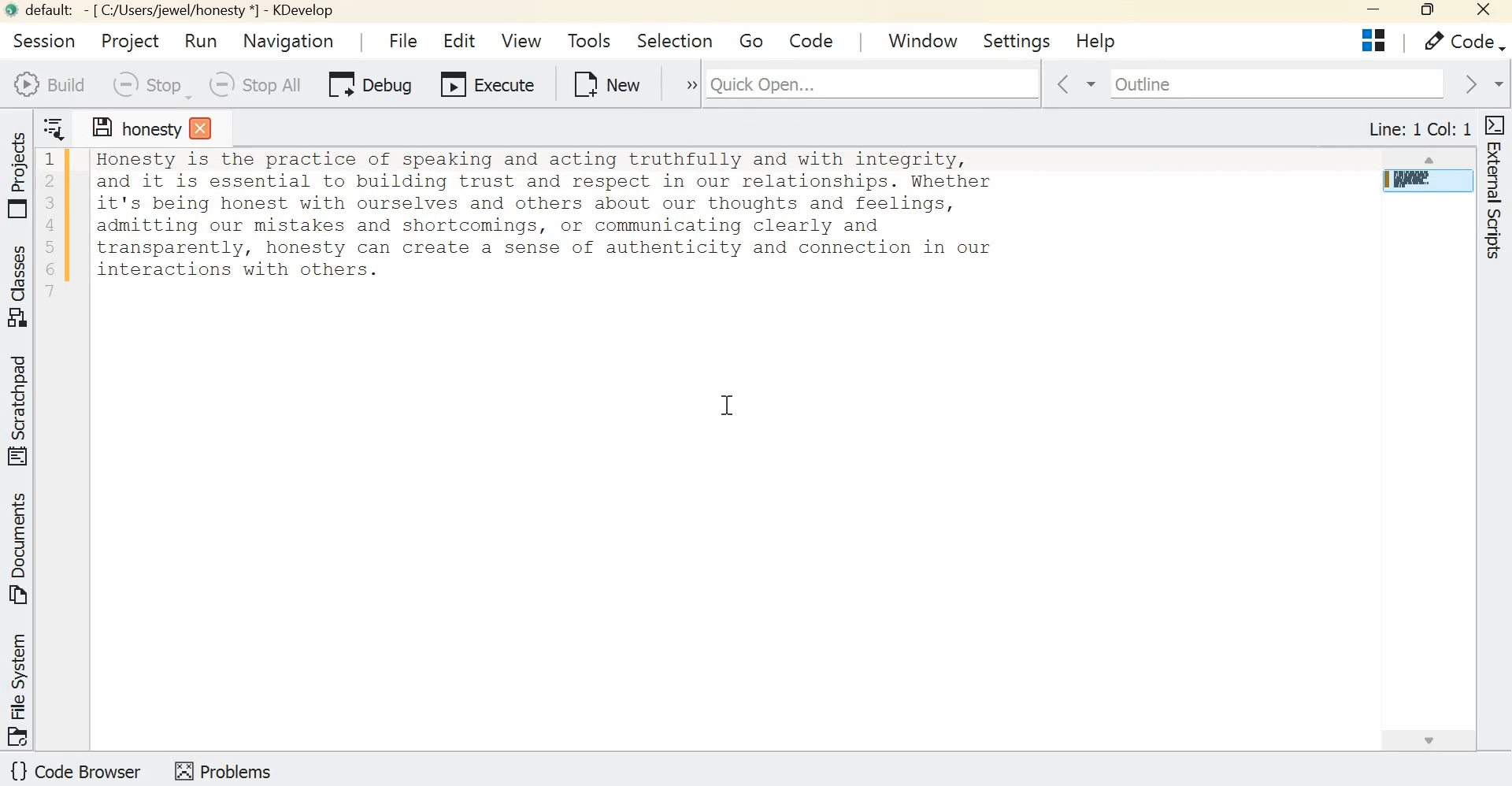 The height and width of the screenshot is (786, 1512). What do you see at coordinates (1263, 83) in the screenshot?
I see `Outline` at bounding box center [1263, 83].